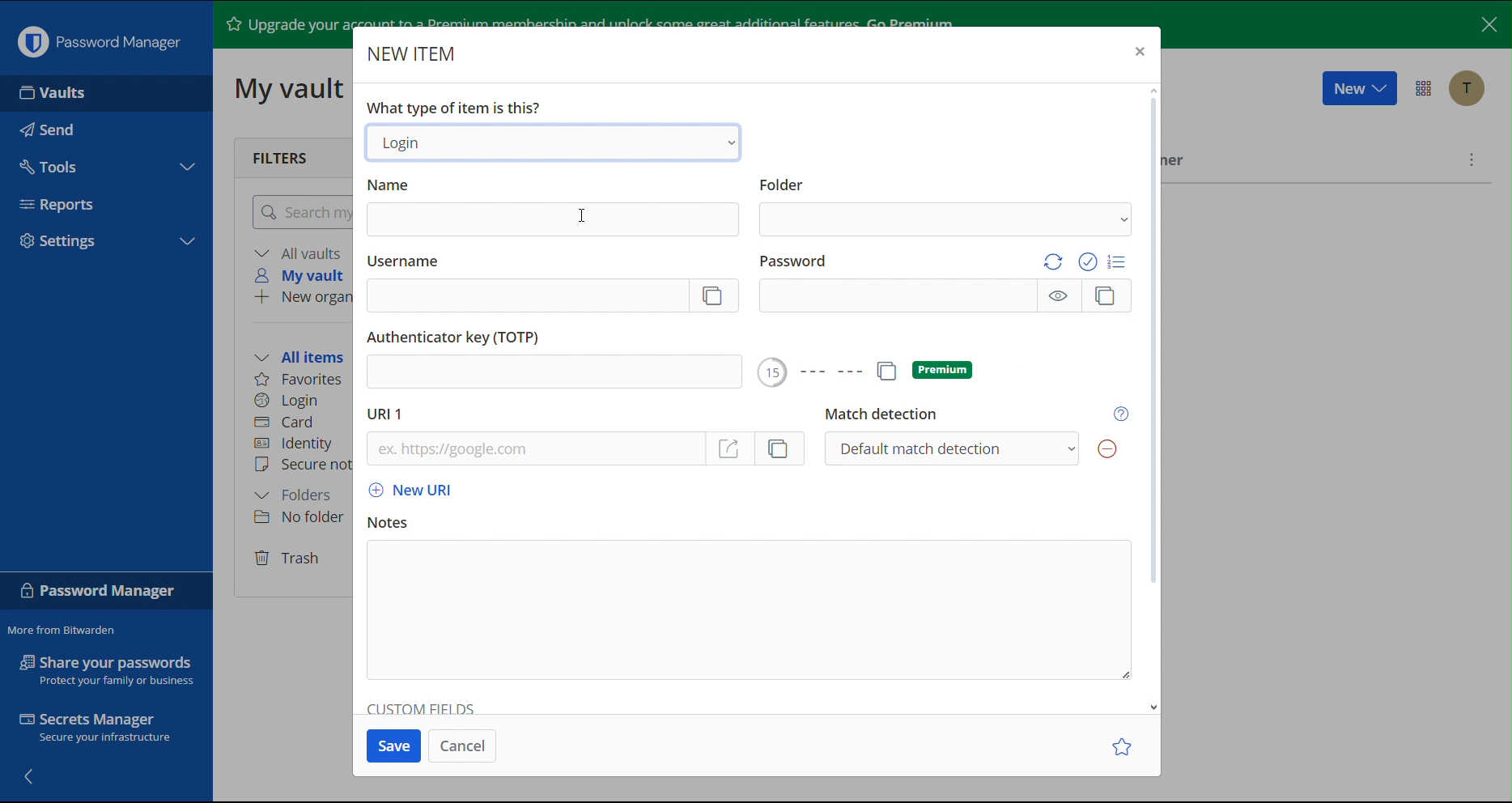  I want to click on Cancel, so click(464, 745).